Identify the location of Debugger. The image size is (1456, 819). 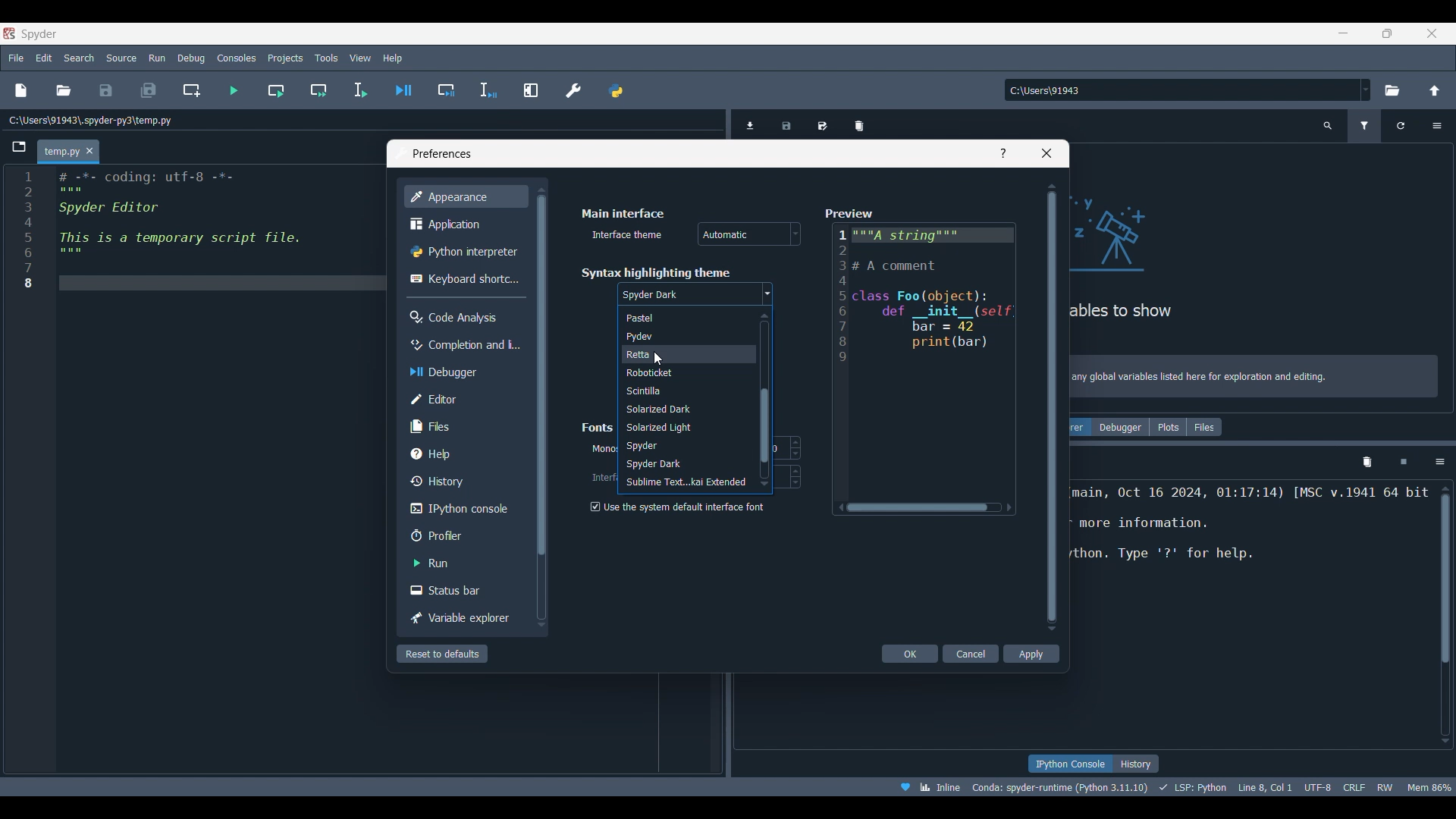
(463, 372).